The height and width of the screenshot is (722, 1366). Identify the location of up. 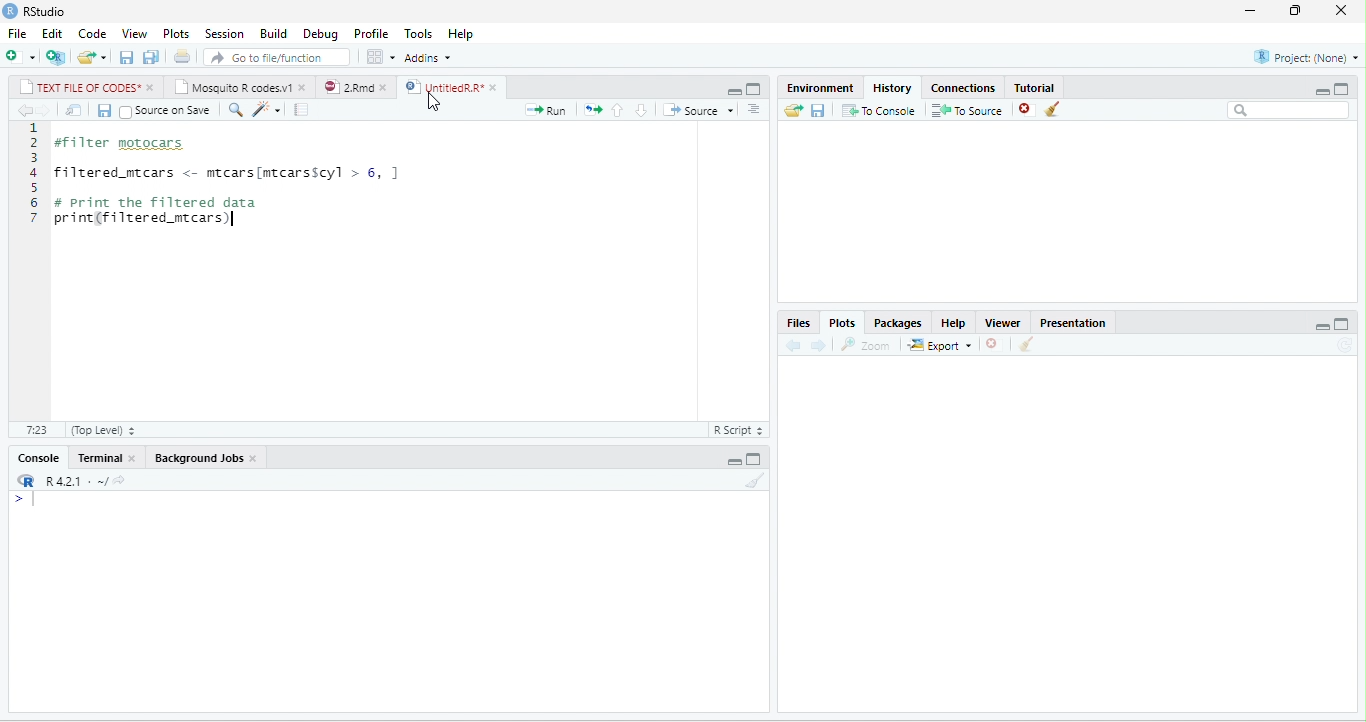
(618, 111).